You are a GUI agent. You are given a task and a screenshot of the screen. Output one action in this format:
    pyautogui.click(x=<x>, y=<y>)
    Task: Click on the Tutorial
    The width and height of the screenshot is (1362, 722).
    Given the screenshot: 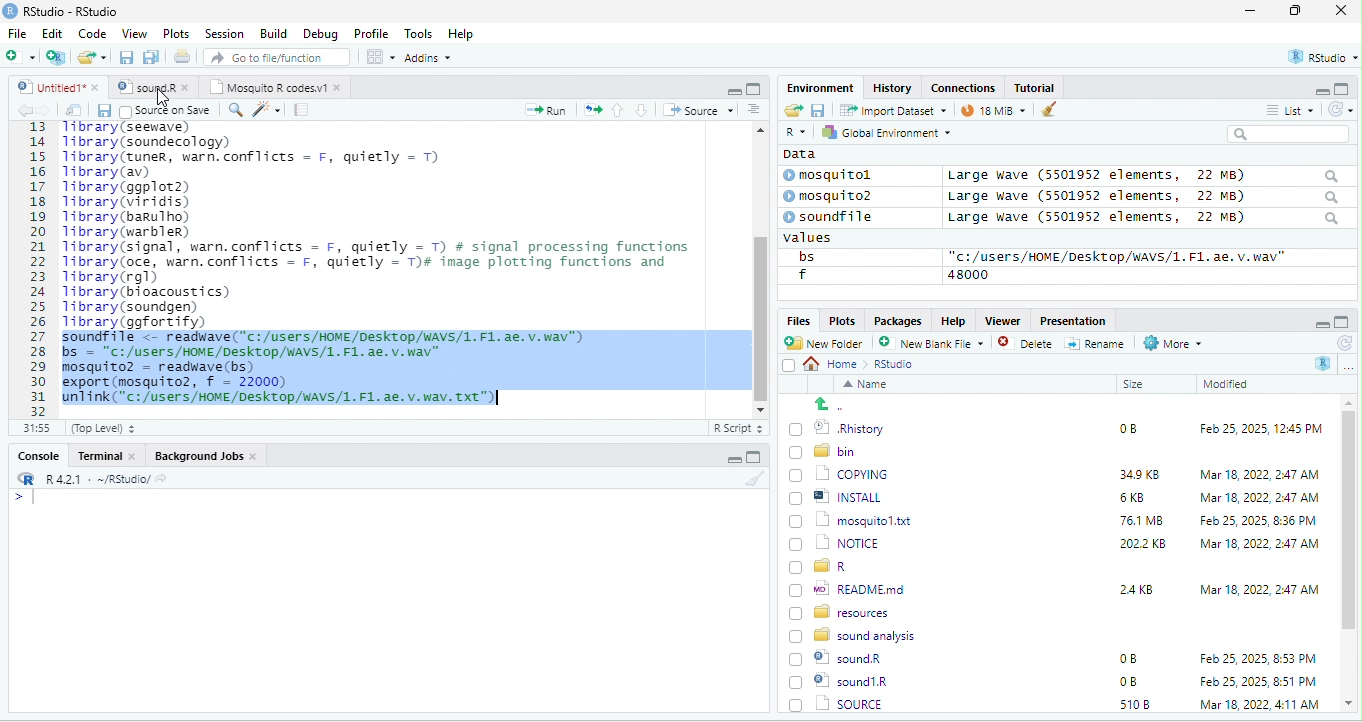 What is the action you would take?
    pyautogui.click(x=1037, y=87)
    